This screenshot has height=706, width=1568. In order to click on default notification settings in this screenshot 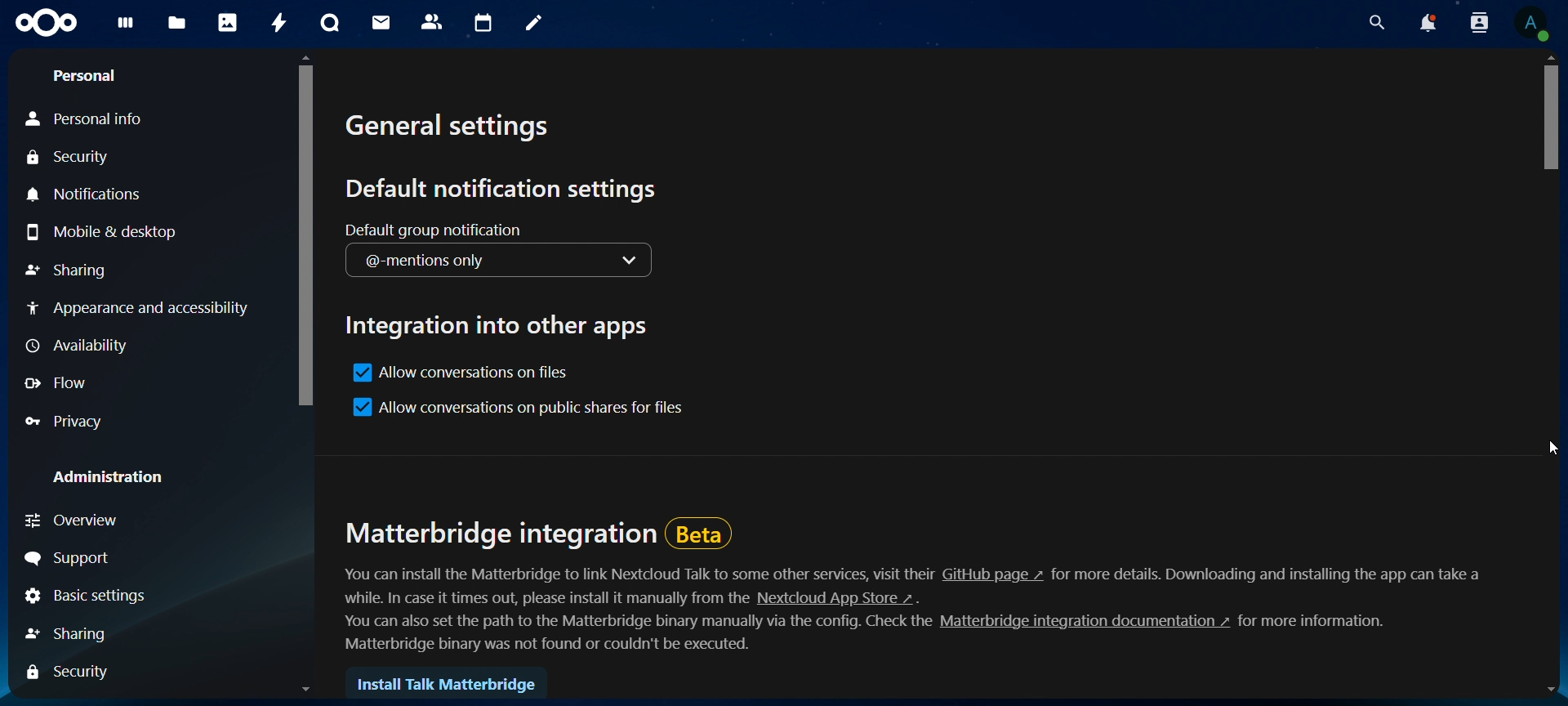, I will do `click(506, 186)`.